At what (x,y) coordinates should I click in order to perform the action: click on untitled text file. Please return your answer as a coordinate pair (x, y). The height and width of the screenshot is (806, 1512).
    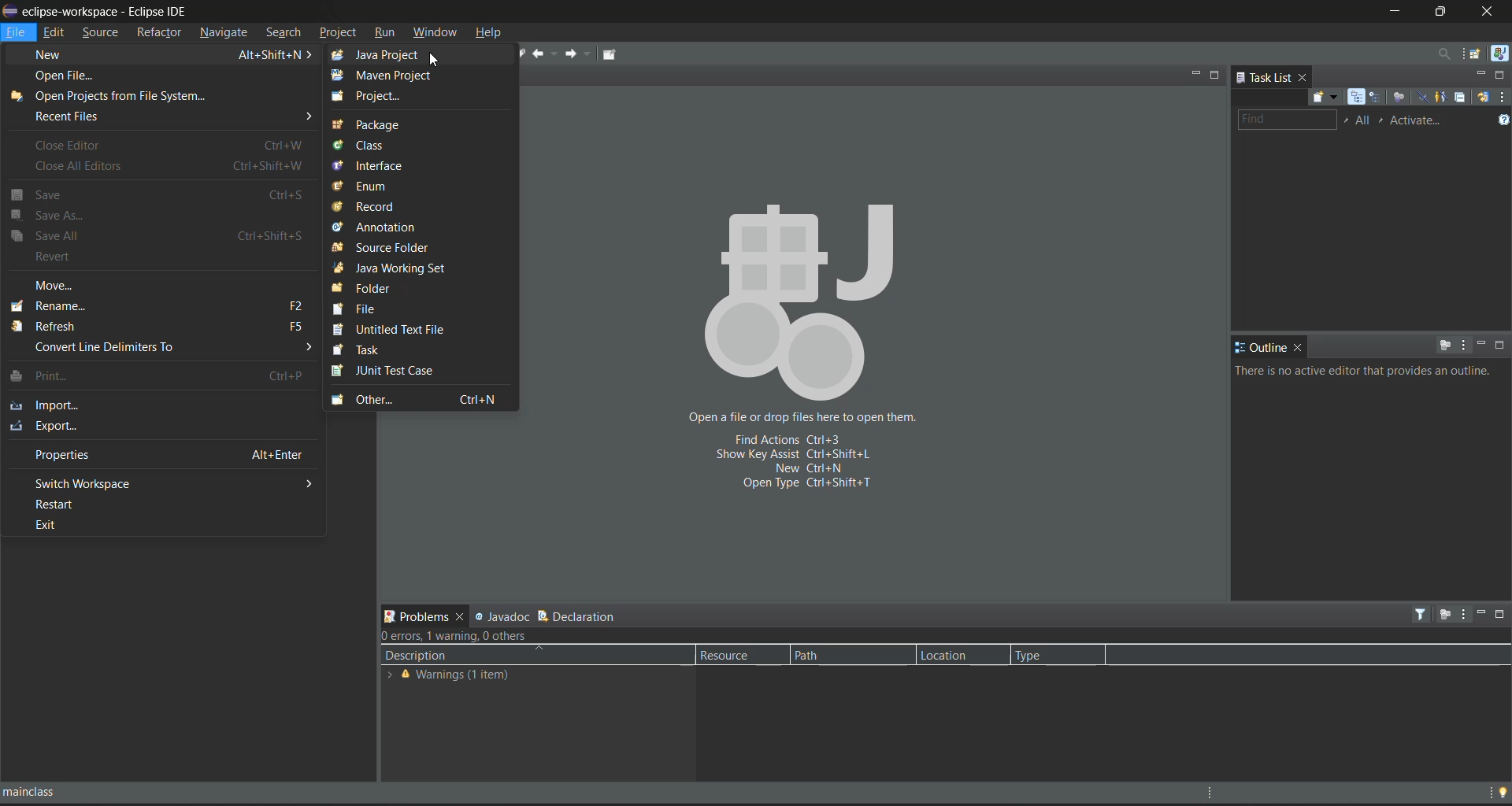
    Looking at the image, I should click on (396, 329).